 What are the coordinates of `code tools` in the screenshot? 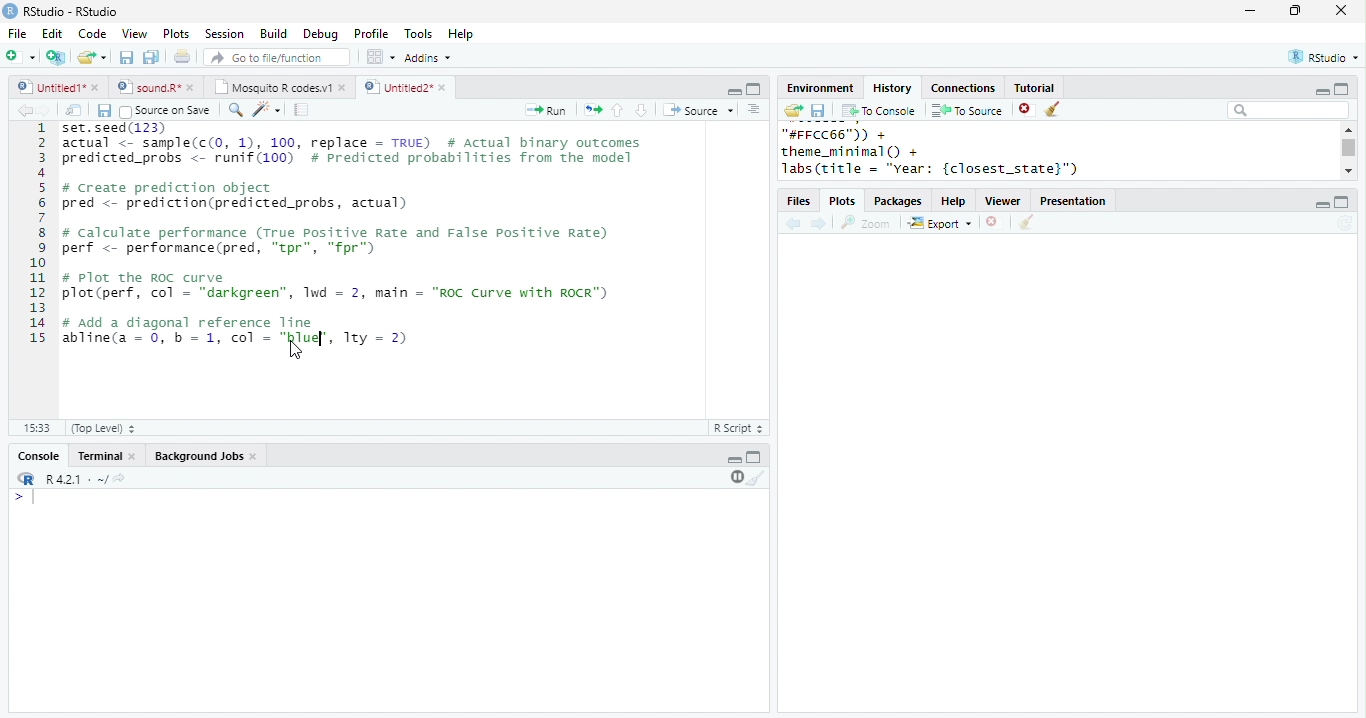 It's located at (267, 109).